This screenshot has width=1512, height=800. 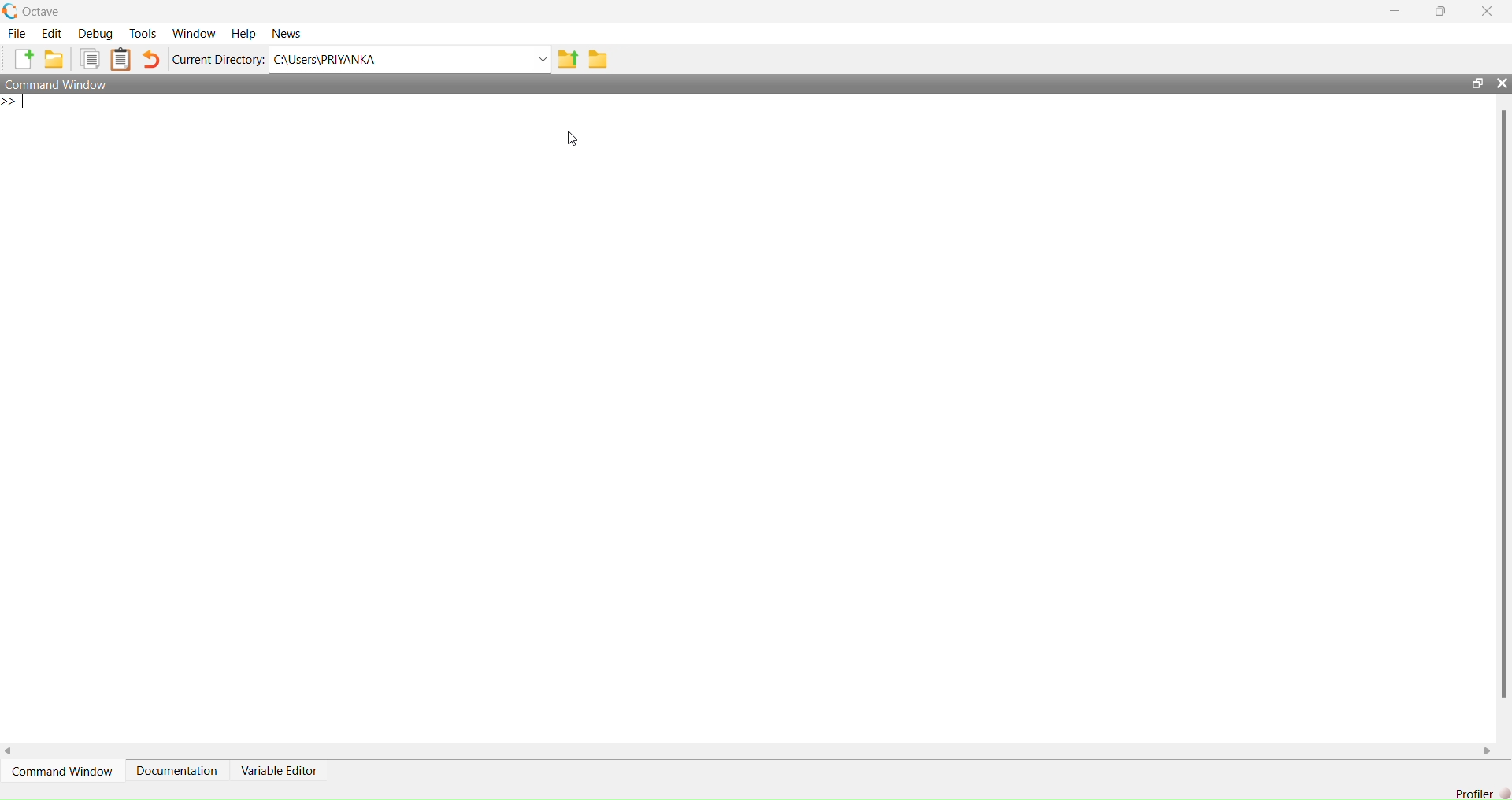 I want to click on close, so click(x=1488, y=9).